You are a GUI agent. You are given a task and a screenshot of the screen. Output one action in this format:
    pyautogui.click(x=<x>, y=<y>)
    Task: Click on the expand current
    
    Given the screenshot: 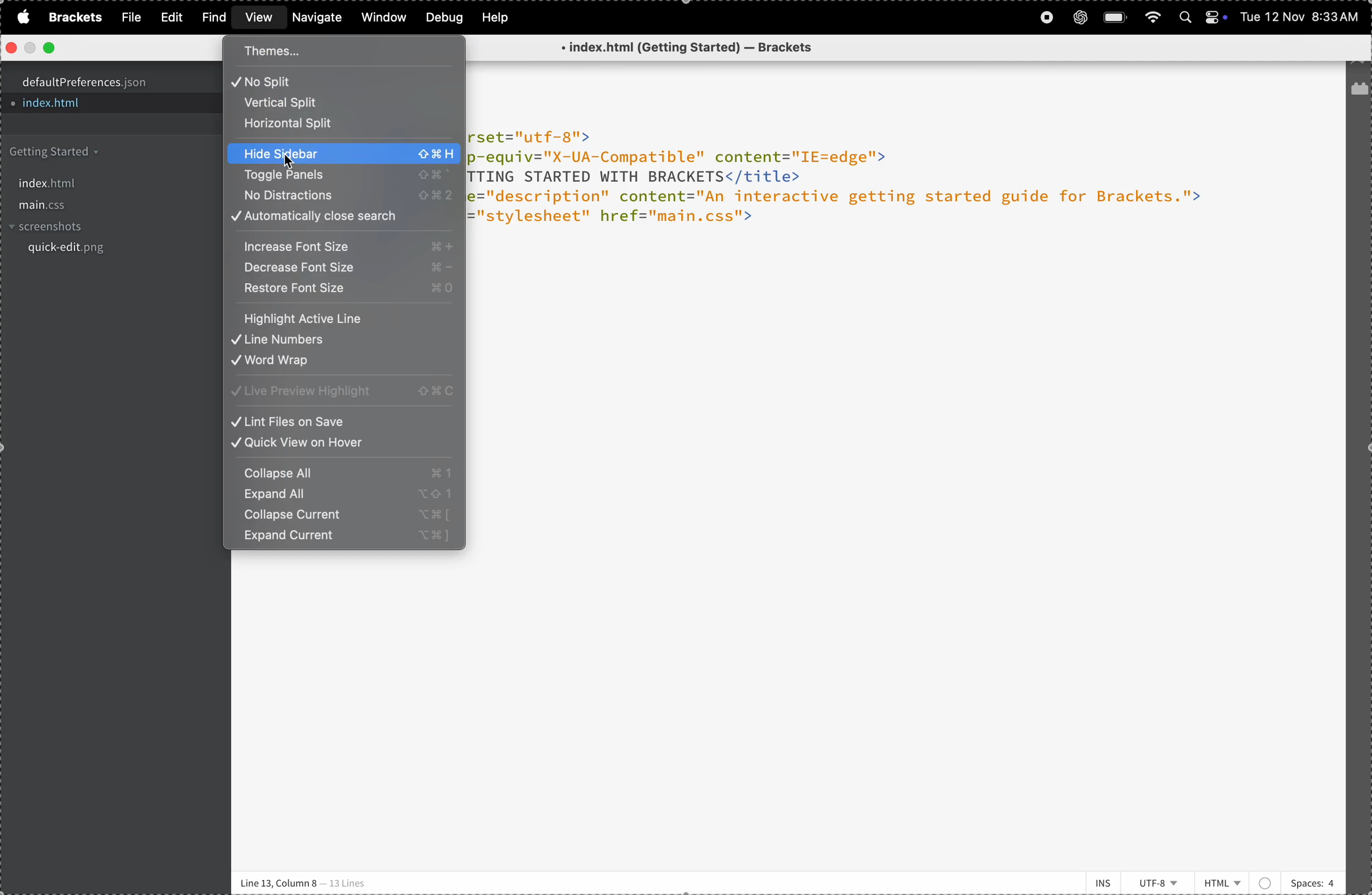 What is the action you would take?
    pyautogui.click(x=346, y=540)
    